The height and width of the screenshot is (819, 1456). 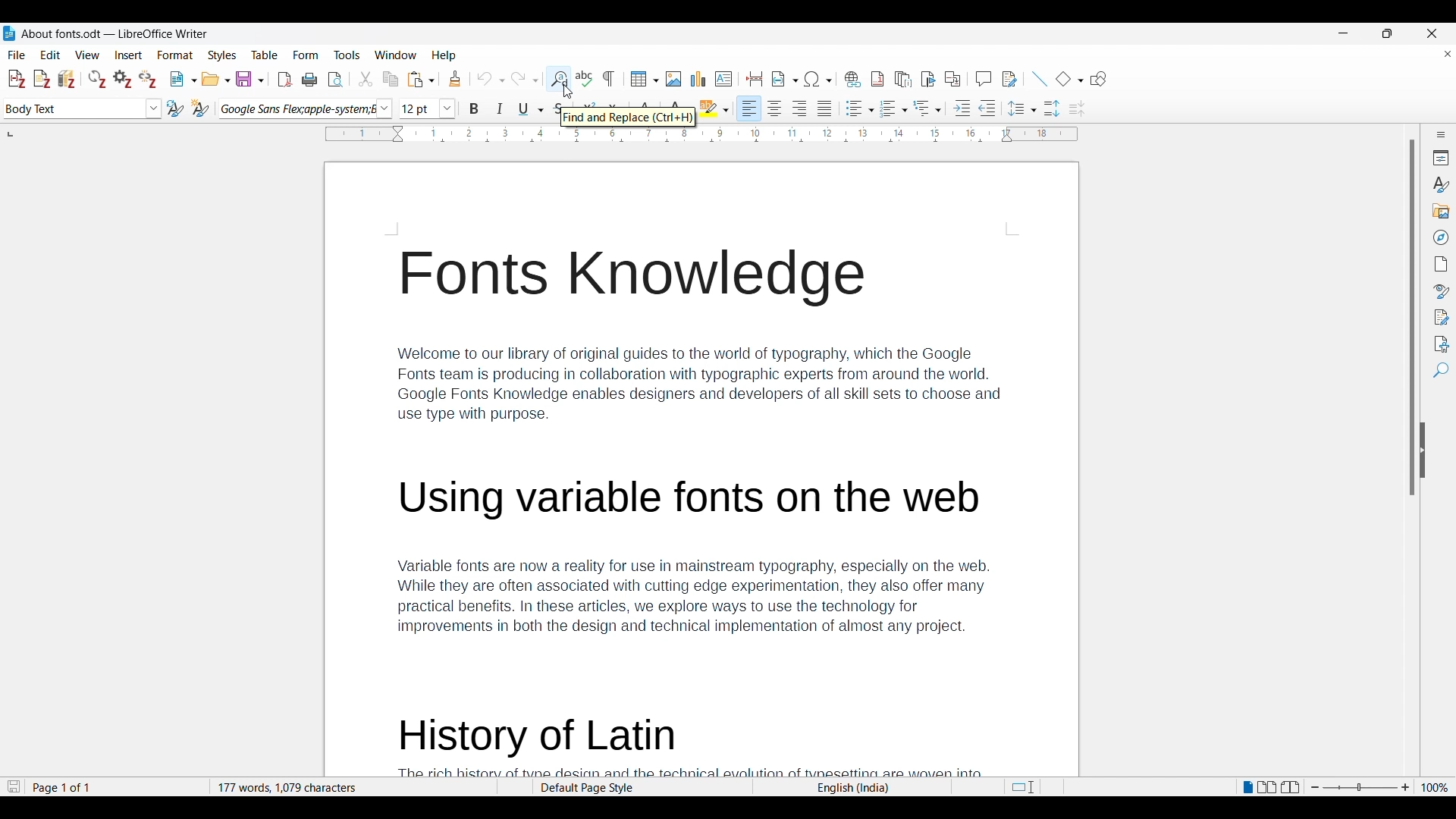 I want to click on Insert hyperlink, so click(x=853, y=79).